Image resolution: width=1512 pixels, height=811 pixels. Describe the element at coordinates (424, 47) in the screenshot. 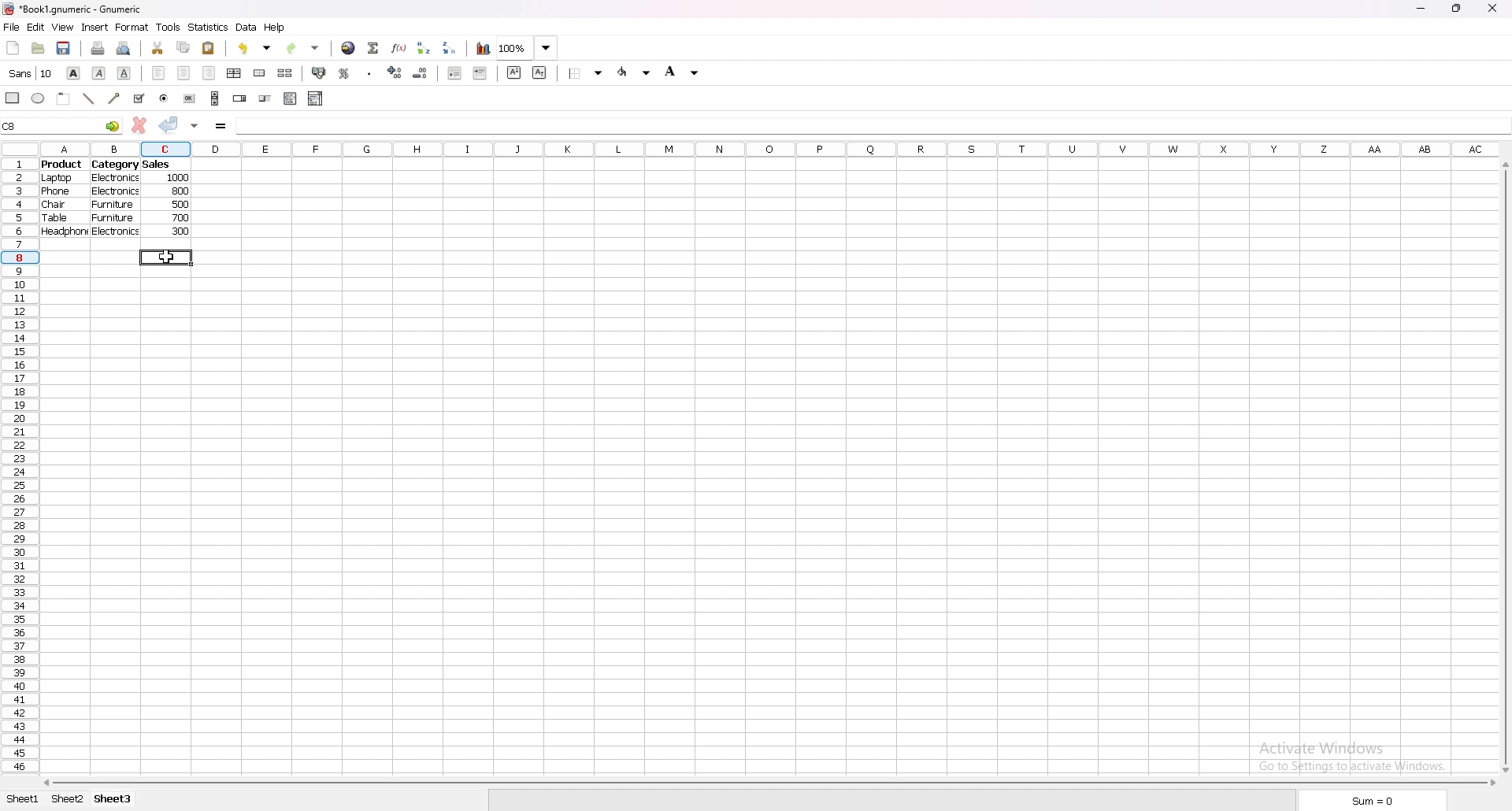

I see `sort ascending` at that location.